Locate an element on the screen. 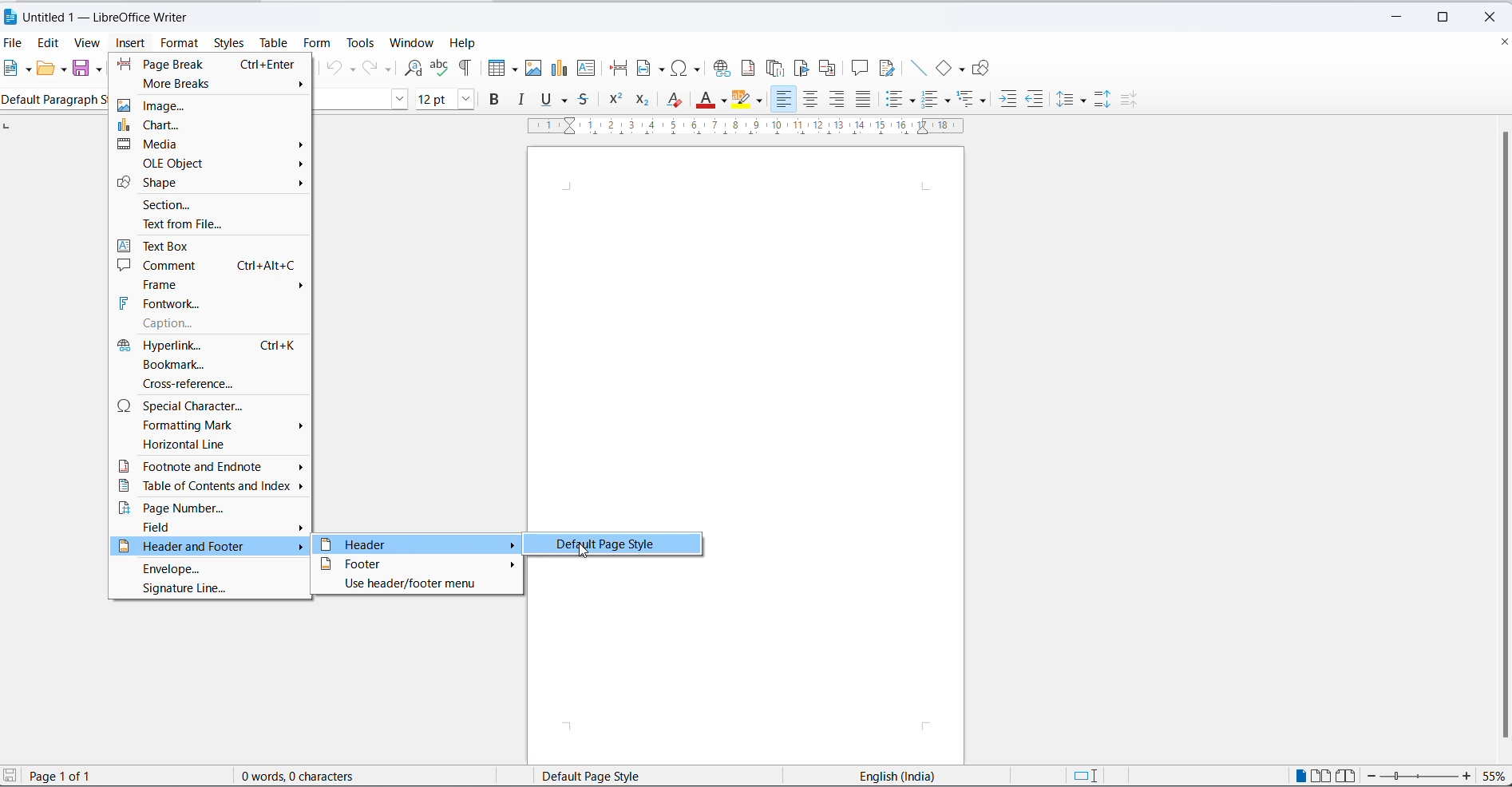  undo is located at coordinates (333, 69).